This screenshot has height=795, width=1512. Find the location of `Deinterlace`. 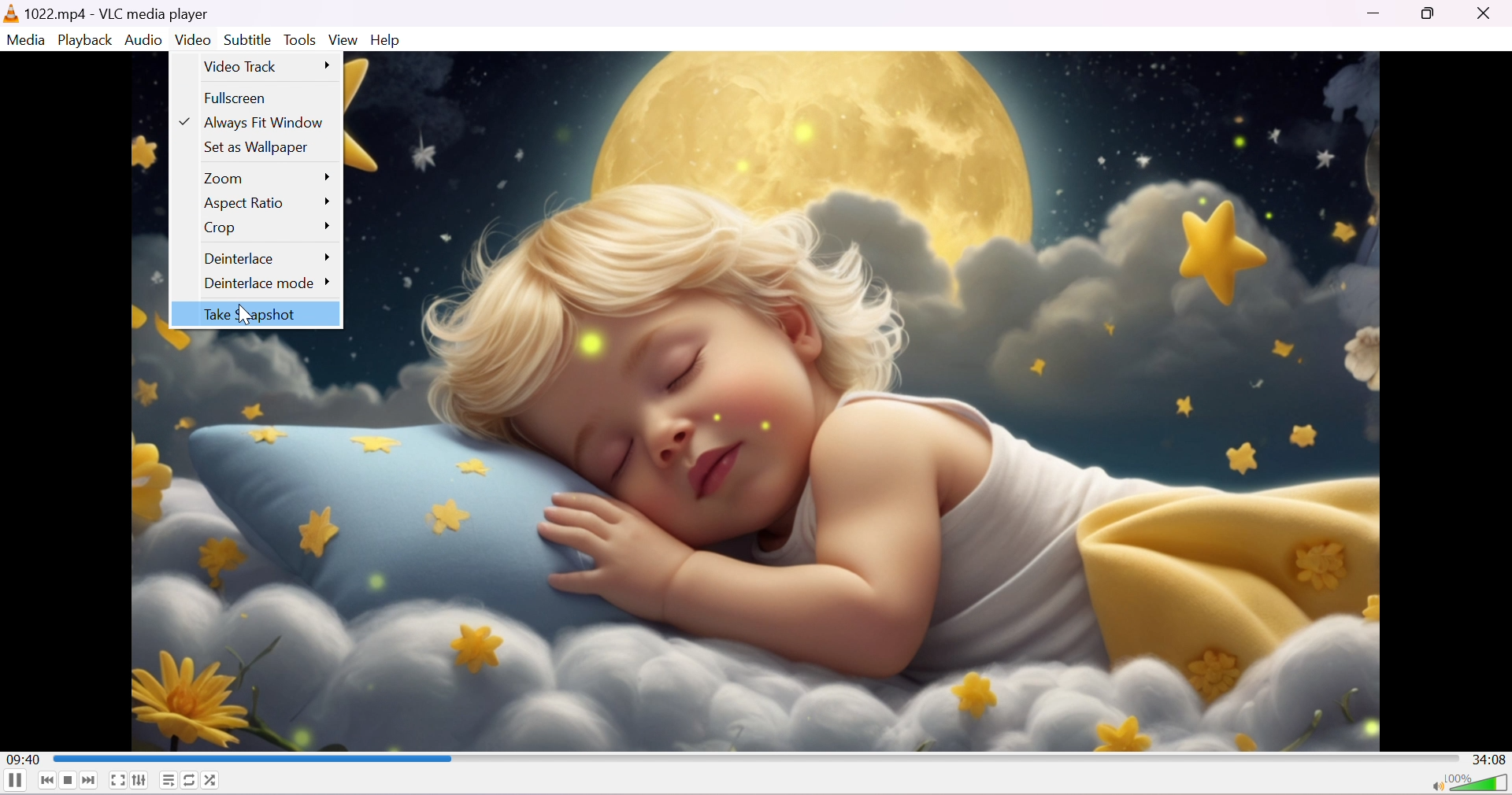

Deinterlace is located at coordinates (265, 258).